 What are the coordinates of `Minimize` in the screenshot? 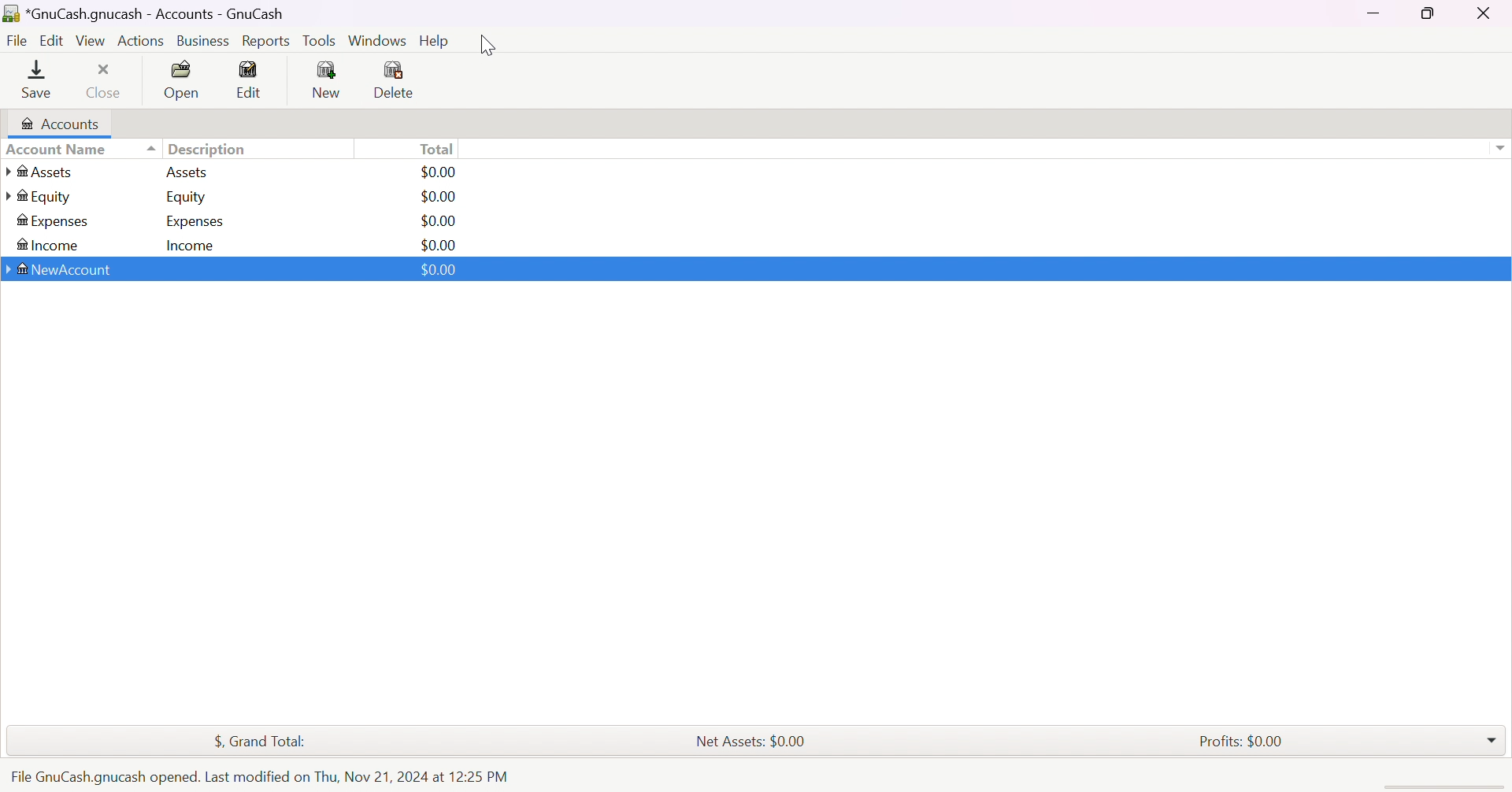 It's located at (1376, 13).